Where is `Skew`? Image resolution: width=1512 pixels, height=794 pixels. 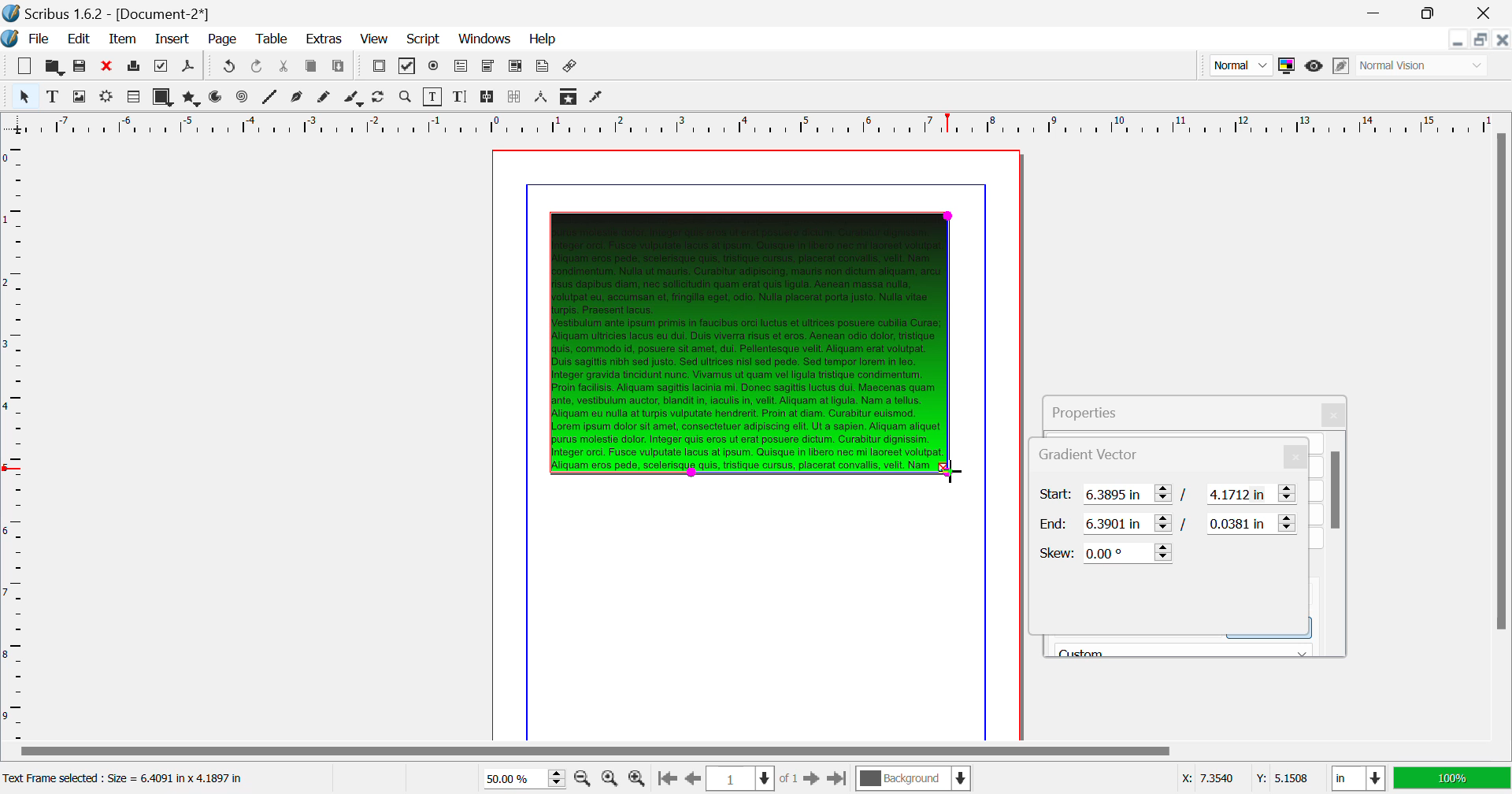
Skew is located at coordinates (1107, 552).